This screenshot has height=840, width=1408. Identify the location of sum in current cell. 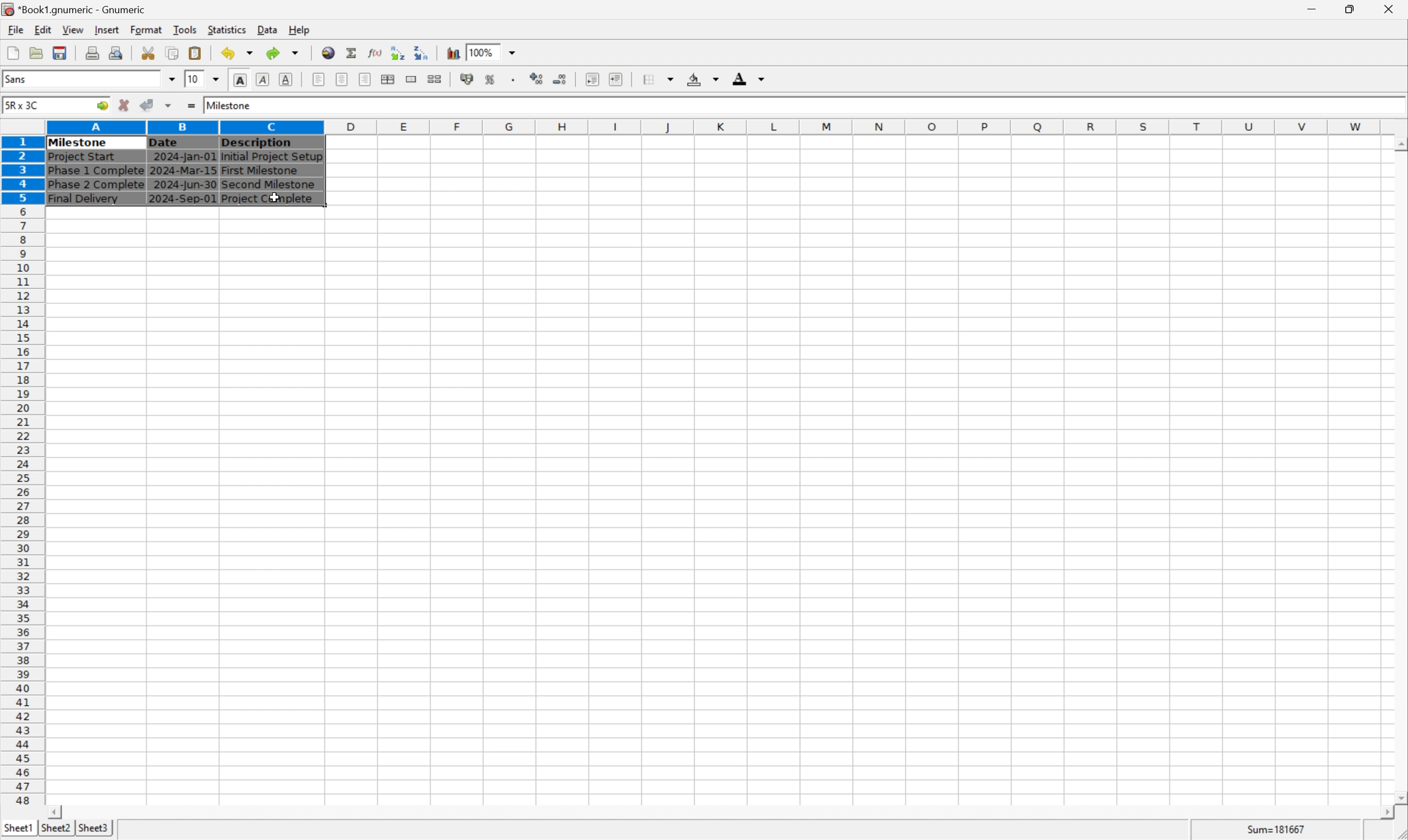
(353, 53).